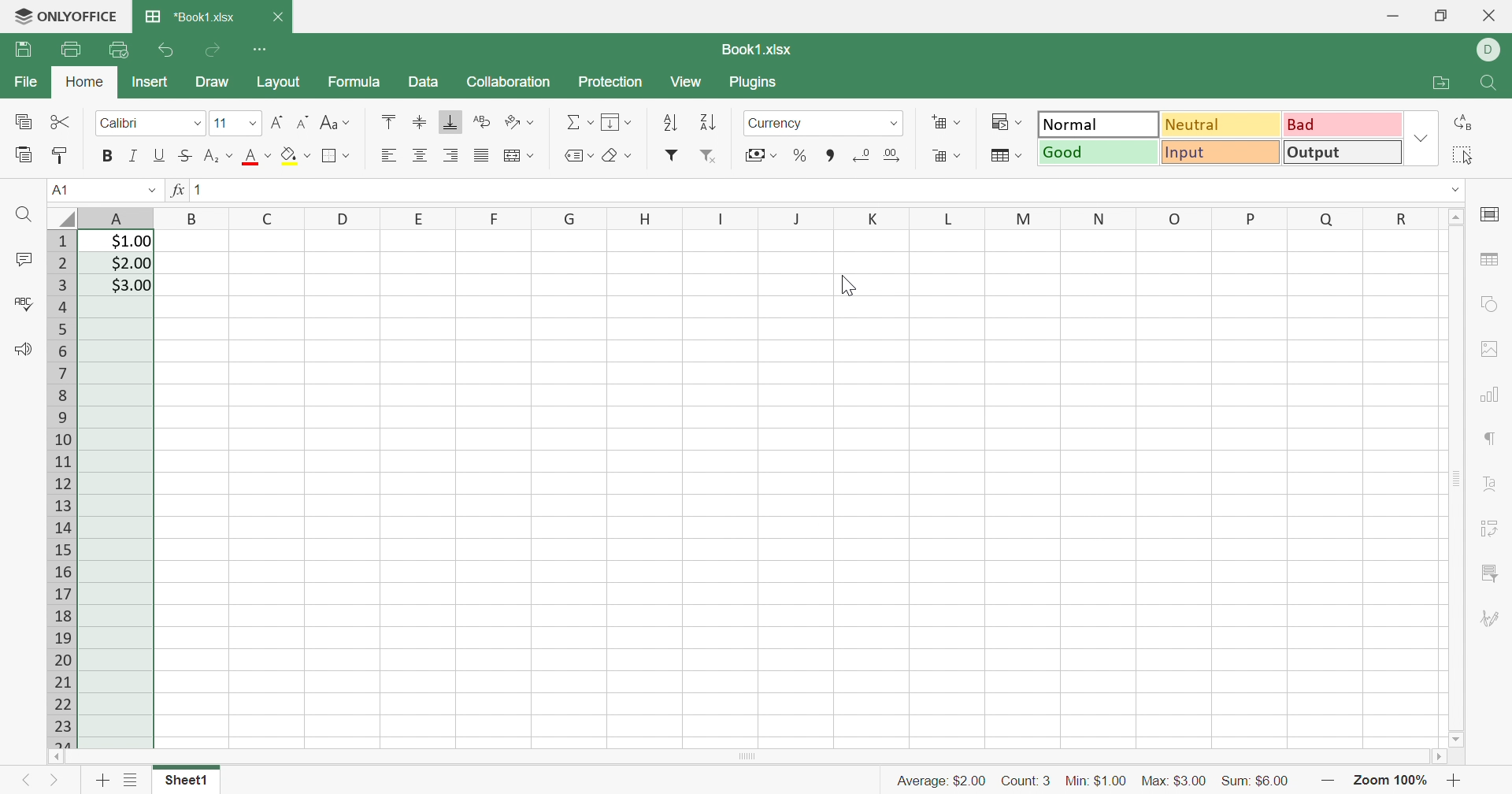  I want to click on $3.00, so click(132, 286).